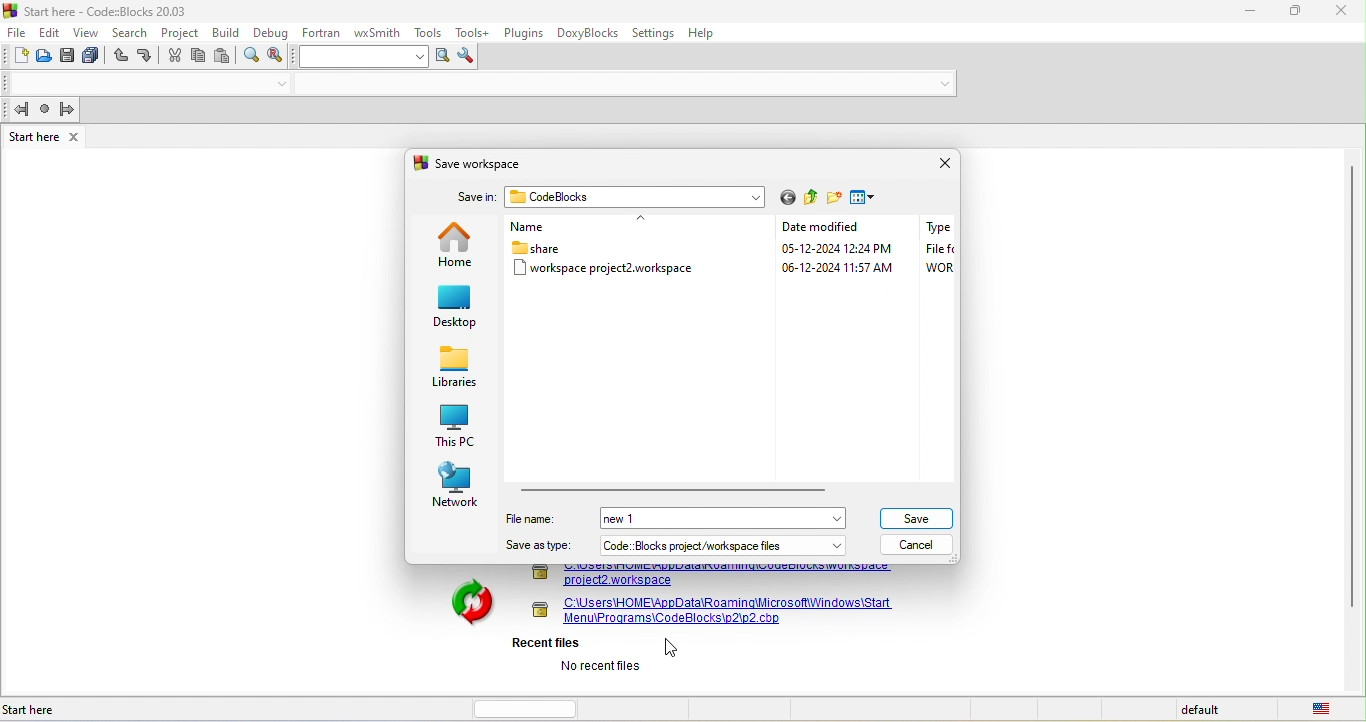  What do you see at coordinates (1351, 420) in the screenshot?
I see `Scroll bar` at bounding box center [1351, 420].